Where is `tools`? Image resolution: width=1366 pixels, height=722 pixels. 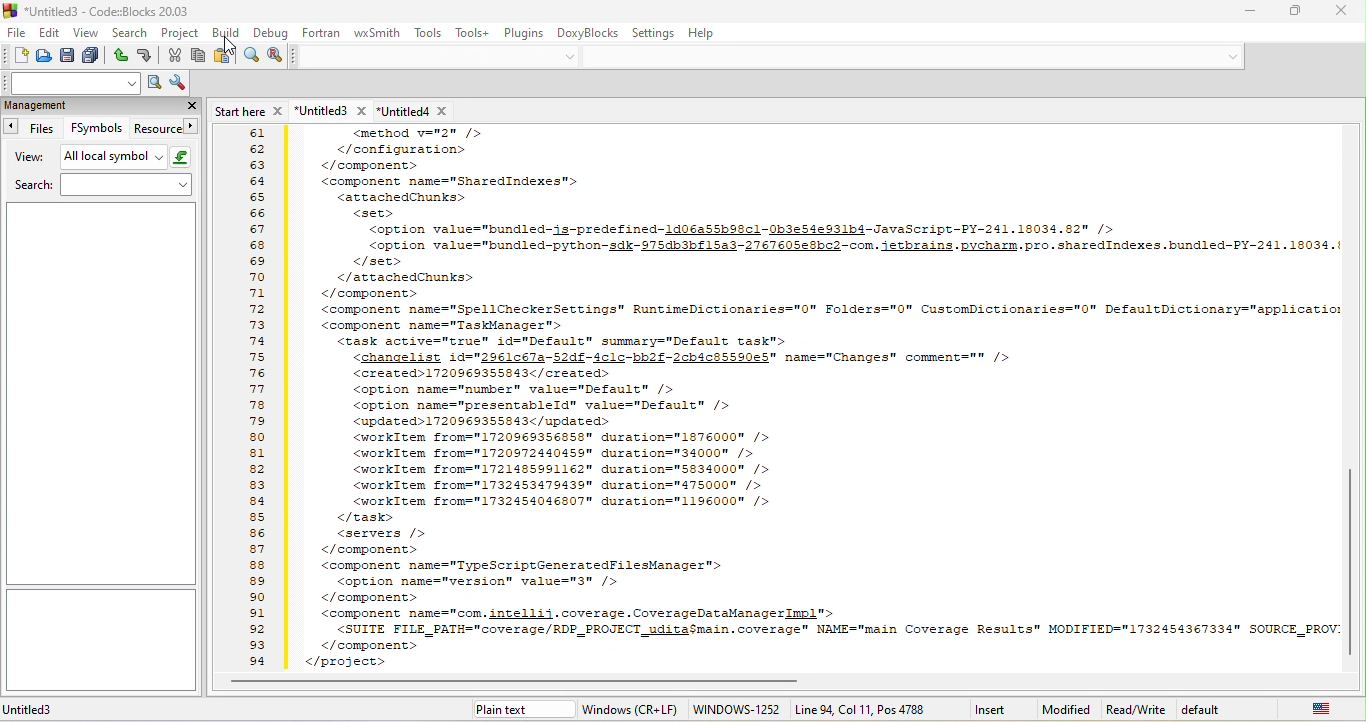
tools is located at coordinates (426, 32).